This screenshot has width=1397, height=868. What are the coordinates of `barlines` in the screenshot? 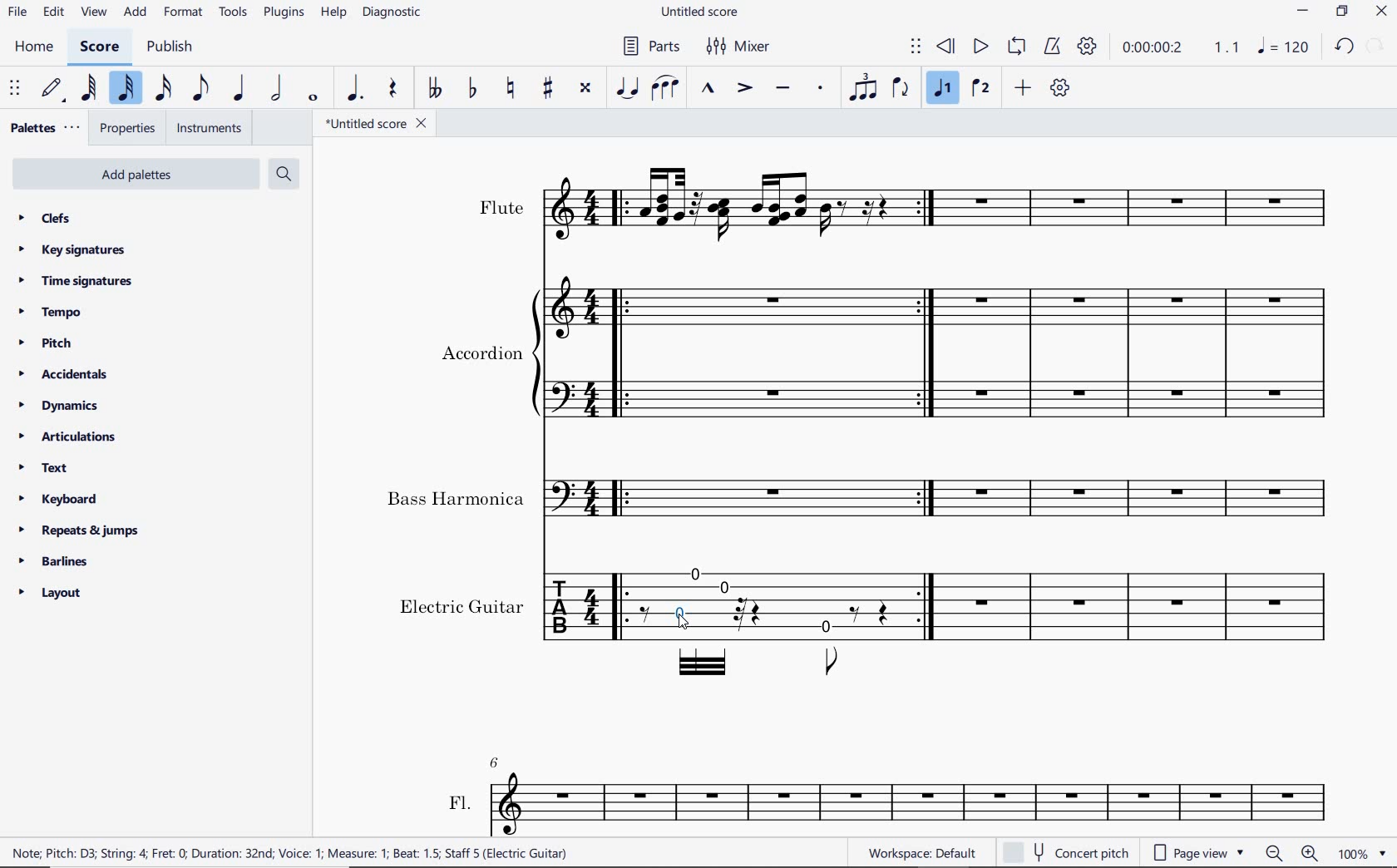 It's located at (56, 560).